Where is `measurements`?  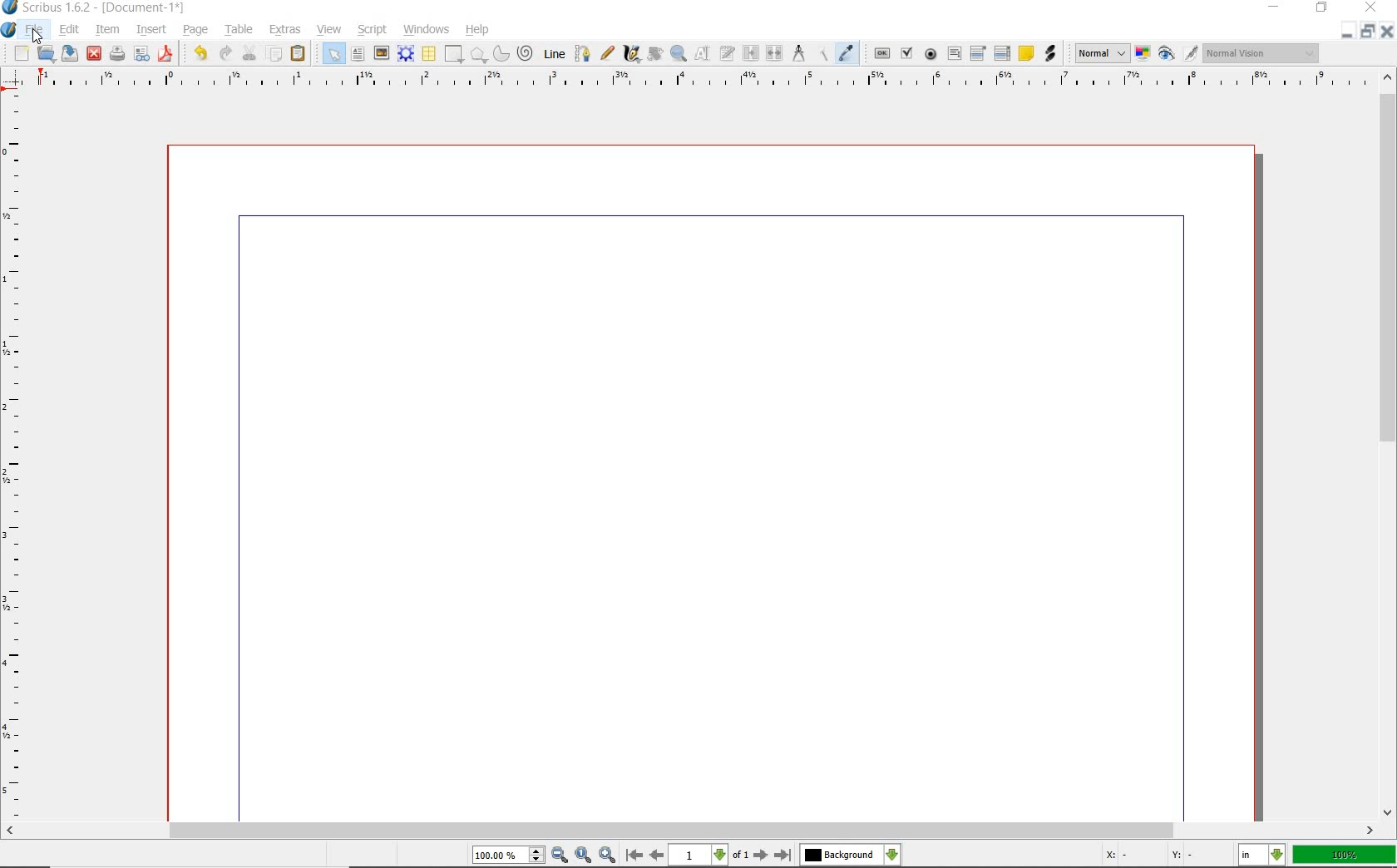 measurements is located at coordinates (801, 55).